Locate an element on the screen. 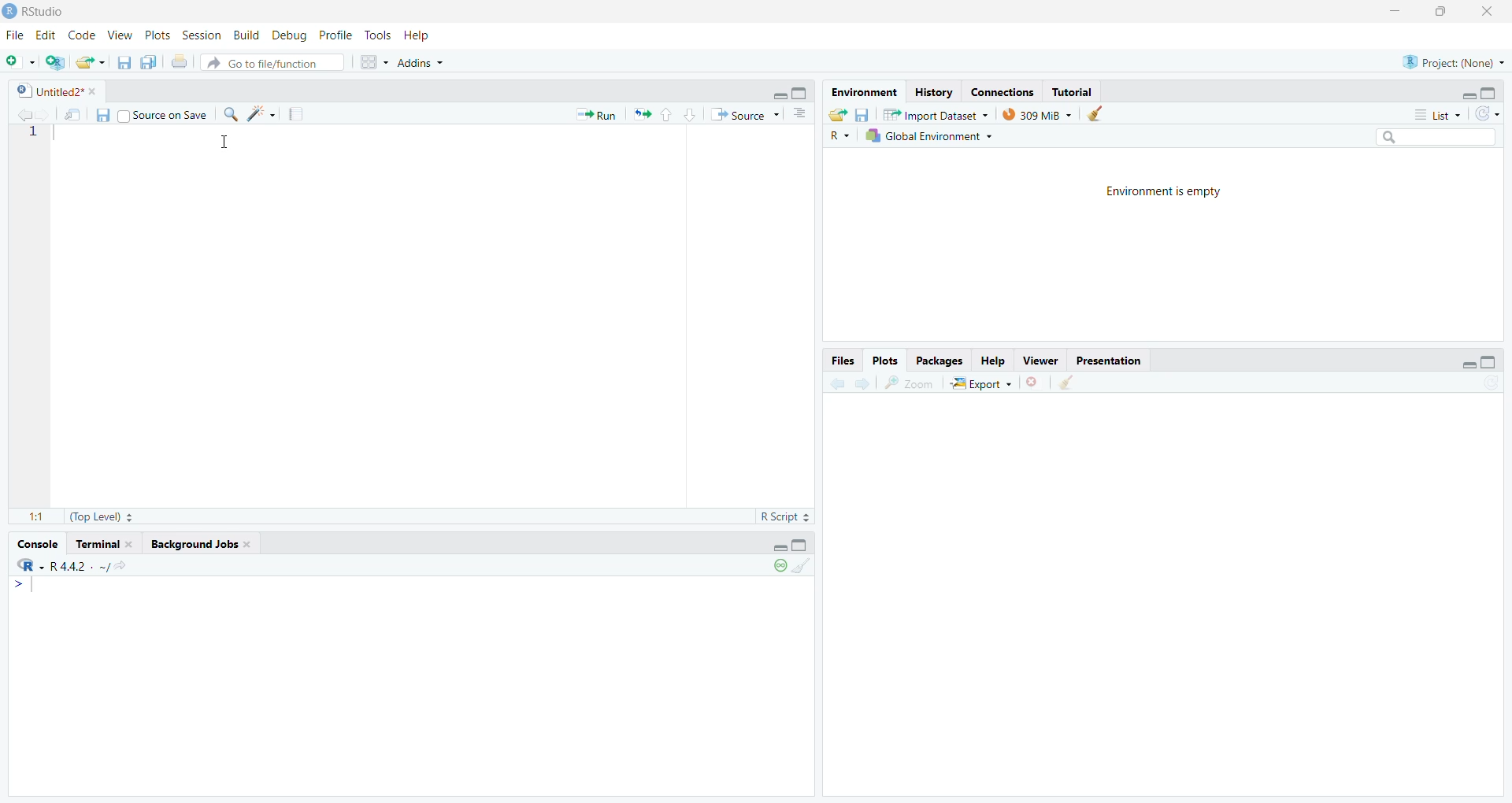 Image resolution: width=1512 pixels, height=803 pixels. save is located at coordinates (102, 117).